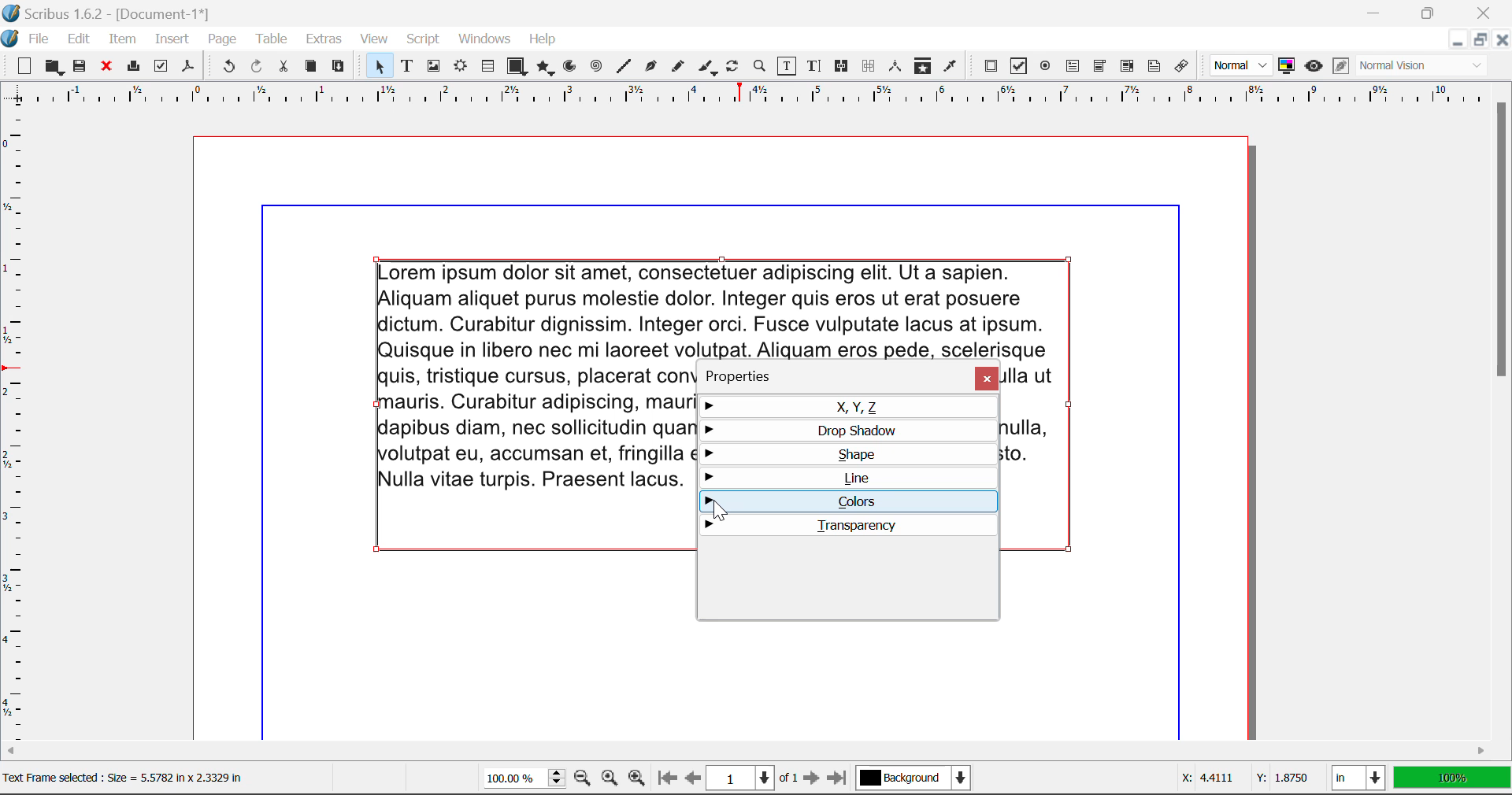 The width and height of the screenshot is (1512, 795). Describe the element at coordinates (991, 65) in the screenshot. I see `PDF Push Button` at that location.